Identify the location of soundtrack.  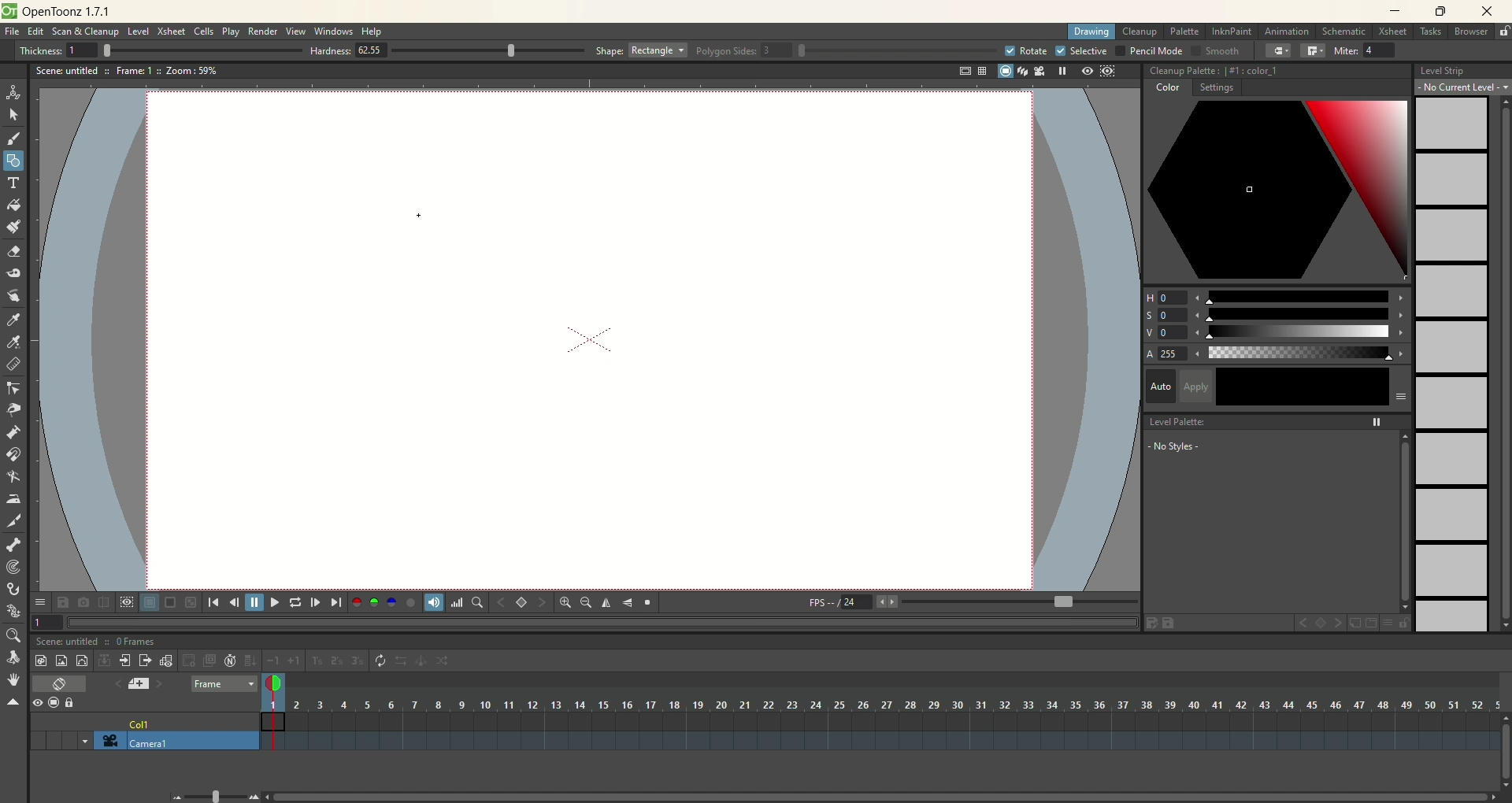
(432, 601).